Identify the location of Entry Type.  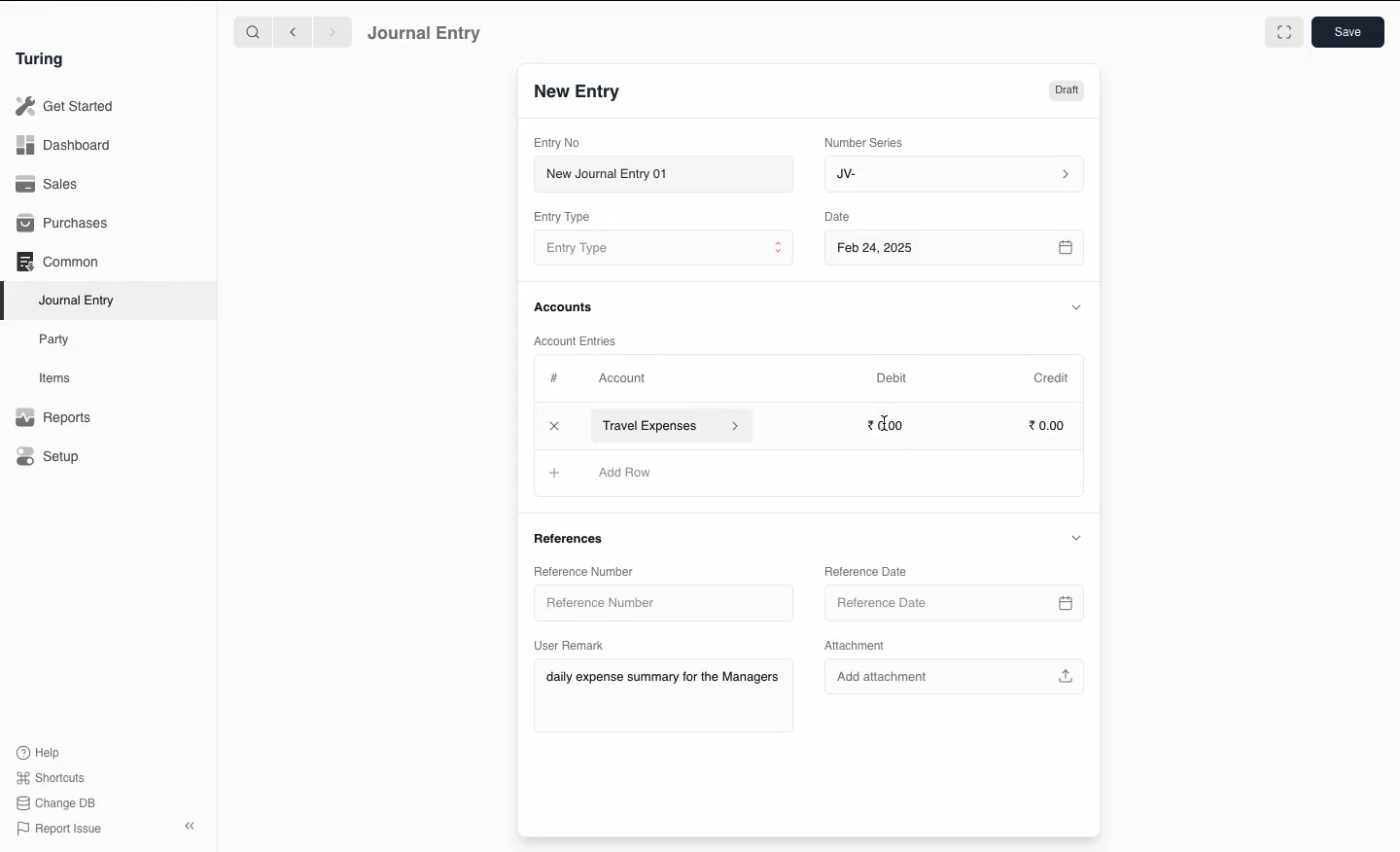
(562, 217).